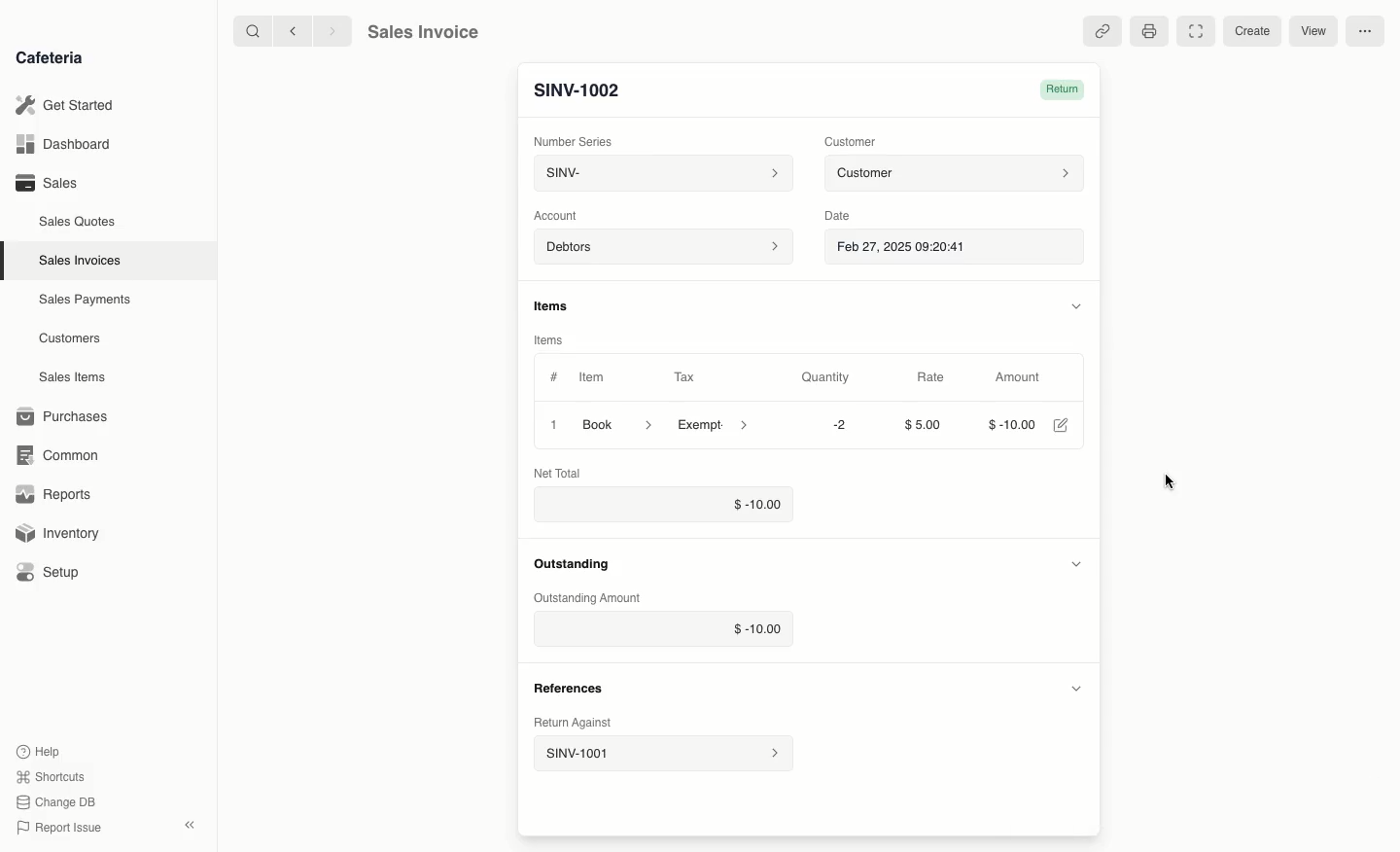 The height and width of the screenshot is (852, 1400). What do you see at coordinates (660, 173) in the screenshot?
I see `SINV-` at bounding box center [660, 173].